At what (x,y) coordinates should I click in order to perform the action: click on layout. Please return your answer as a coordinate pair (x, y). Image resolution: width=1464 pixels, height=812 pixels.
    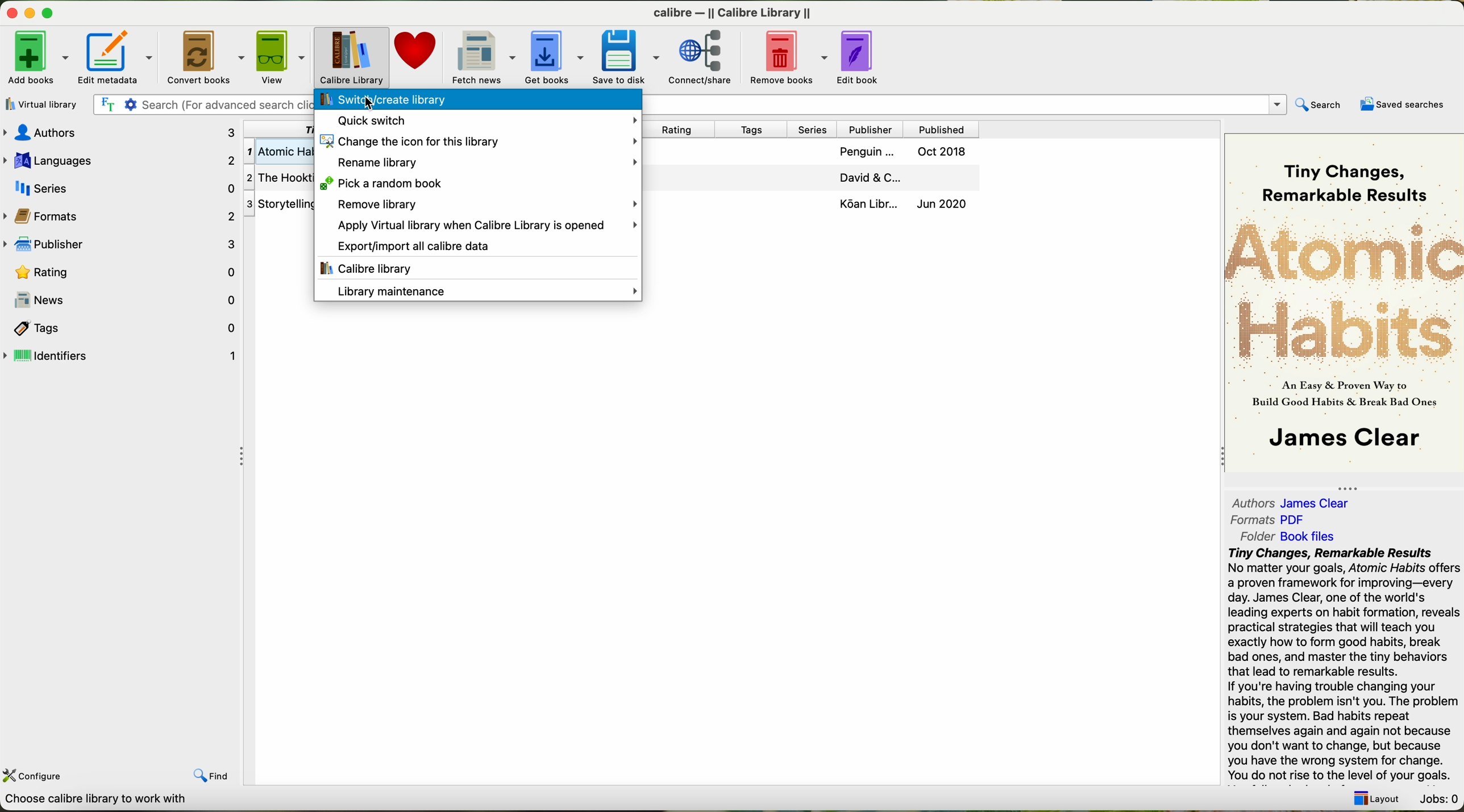
    Looking at the image, I should click on (1380, 801).